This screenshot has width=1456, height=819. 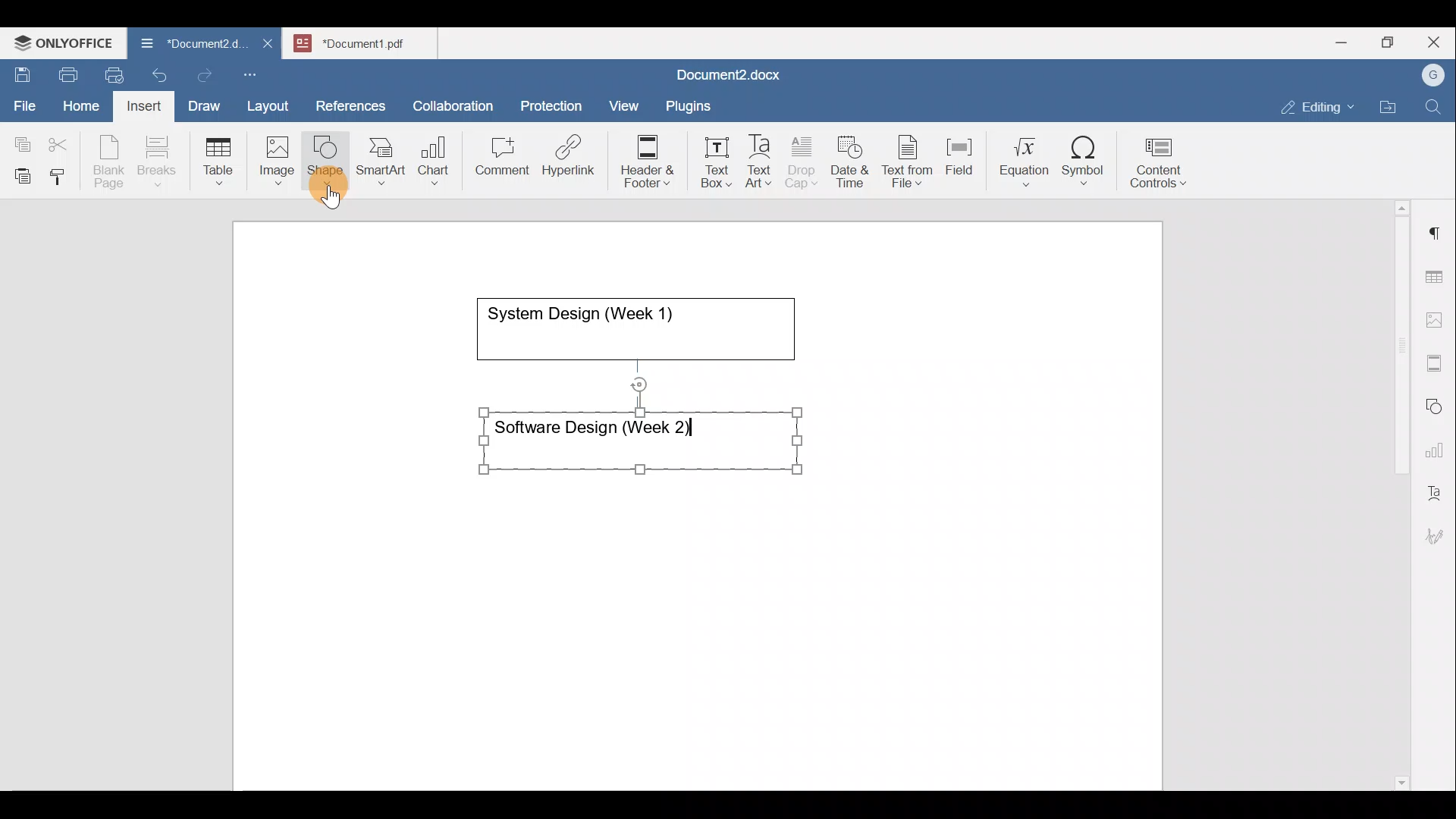 What do you see at coordinates (271, 103) in the screenshot?
I see `Layout` at bounding box center [271, 103].